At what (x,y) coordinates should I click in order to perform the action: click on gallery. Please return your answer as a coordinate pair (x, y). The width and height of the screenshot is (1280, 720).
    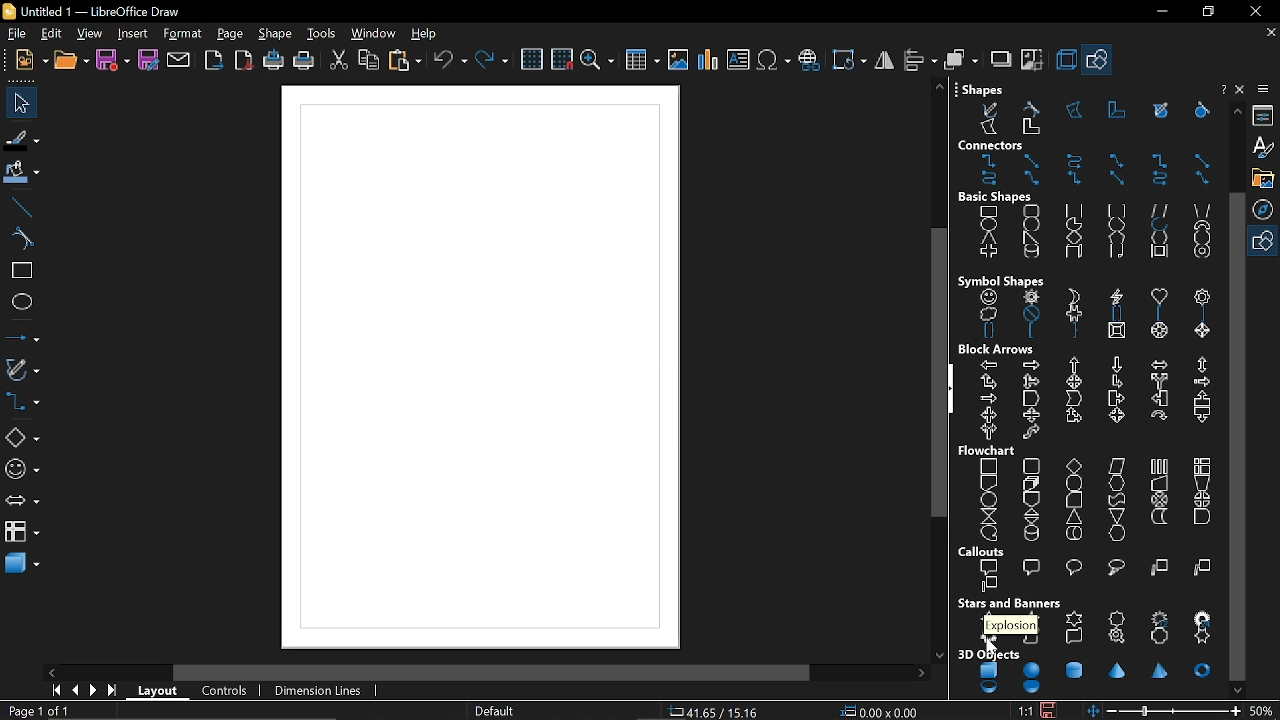
    Looking at the image, I should click on (1263, 178).